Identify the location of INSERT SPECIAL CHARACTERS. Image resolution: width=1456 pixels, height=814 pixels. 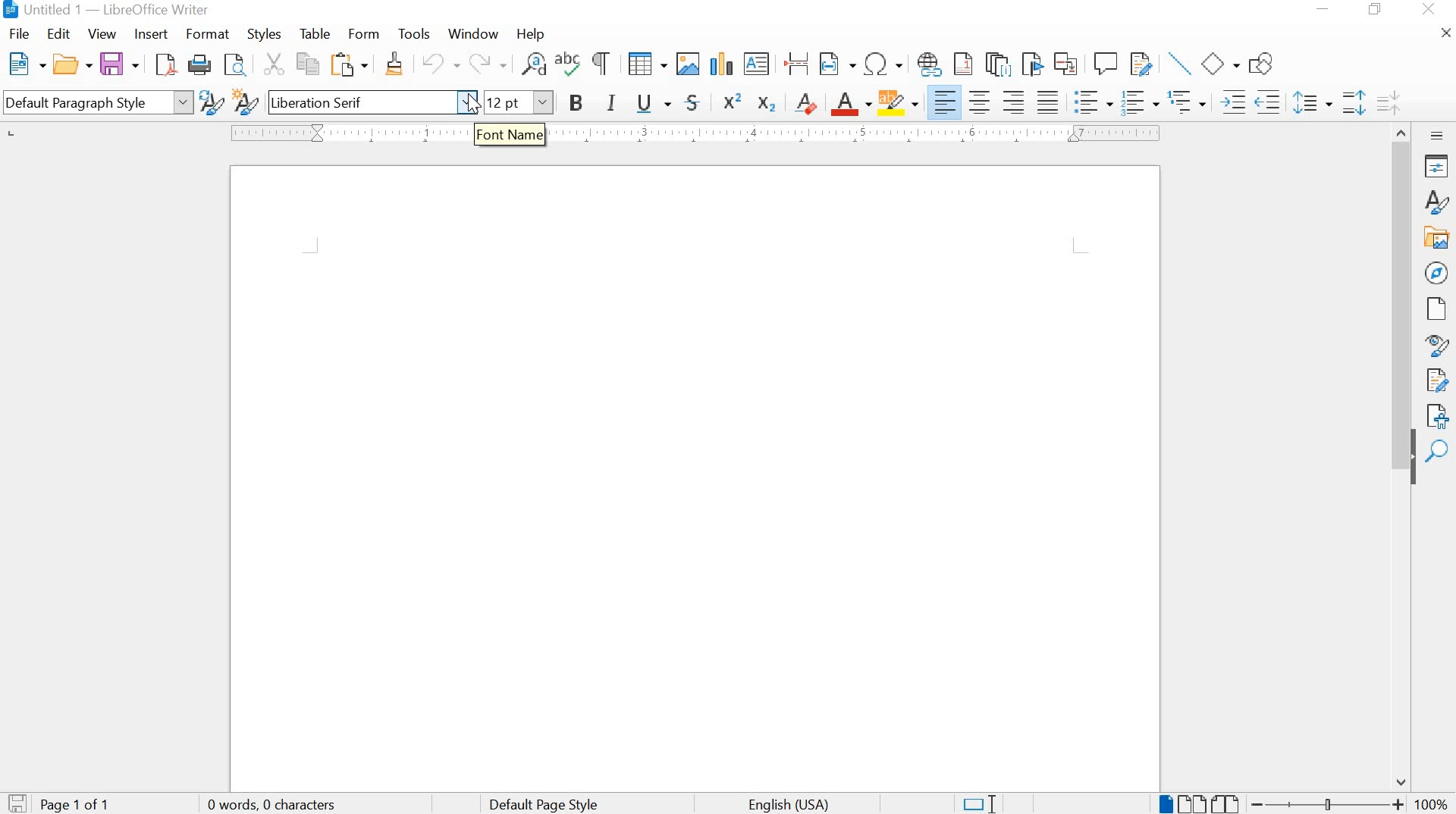
(883, 64).